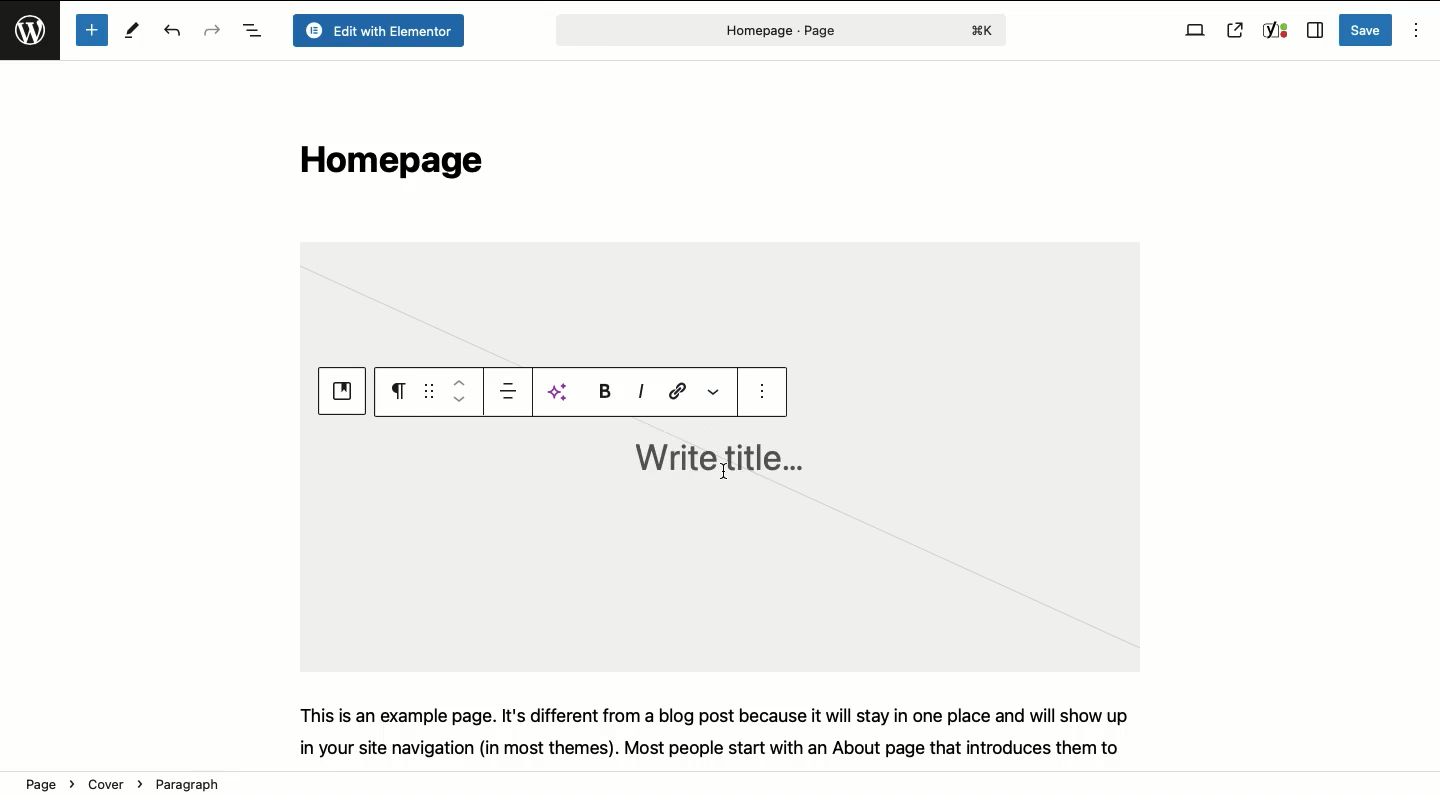 The height and width of the screenshot is (794, 1440). Describe the element at coordinates (714, 458) in the screenshot. I see `Write title` at that location.